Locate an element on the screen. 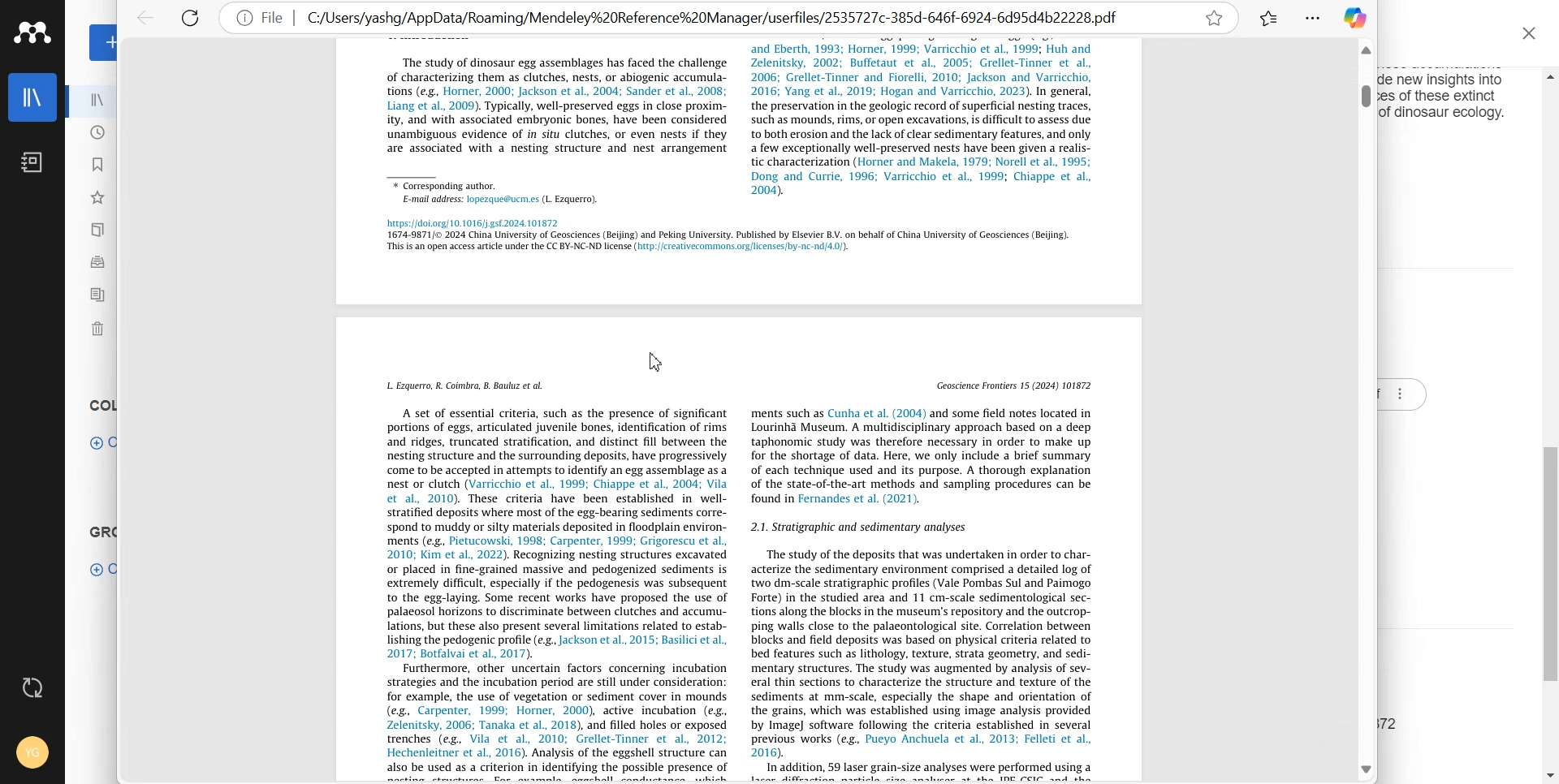  Favorites is located at coordinates (96, 198).